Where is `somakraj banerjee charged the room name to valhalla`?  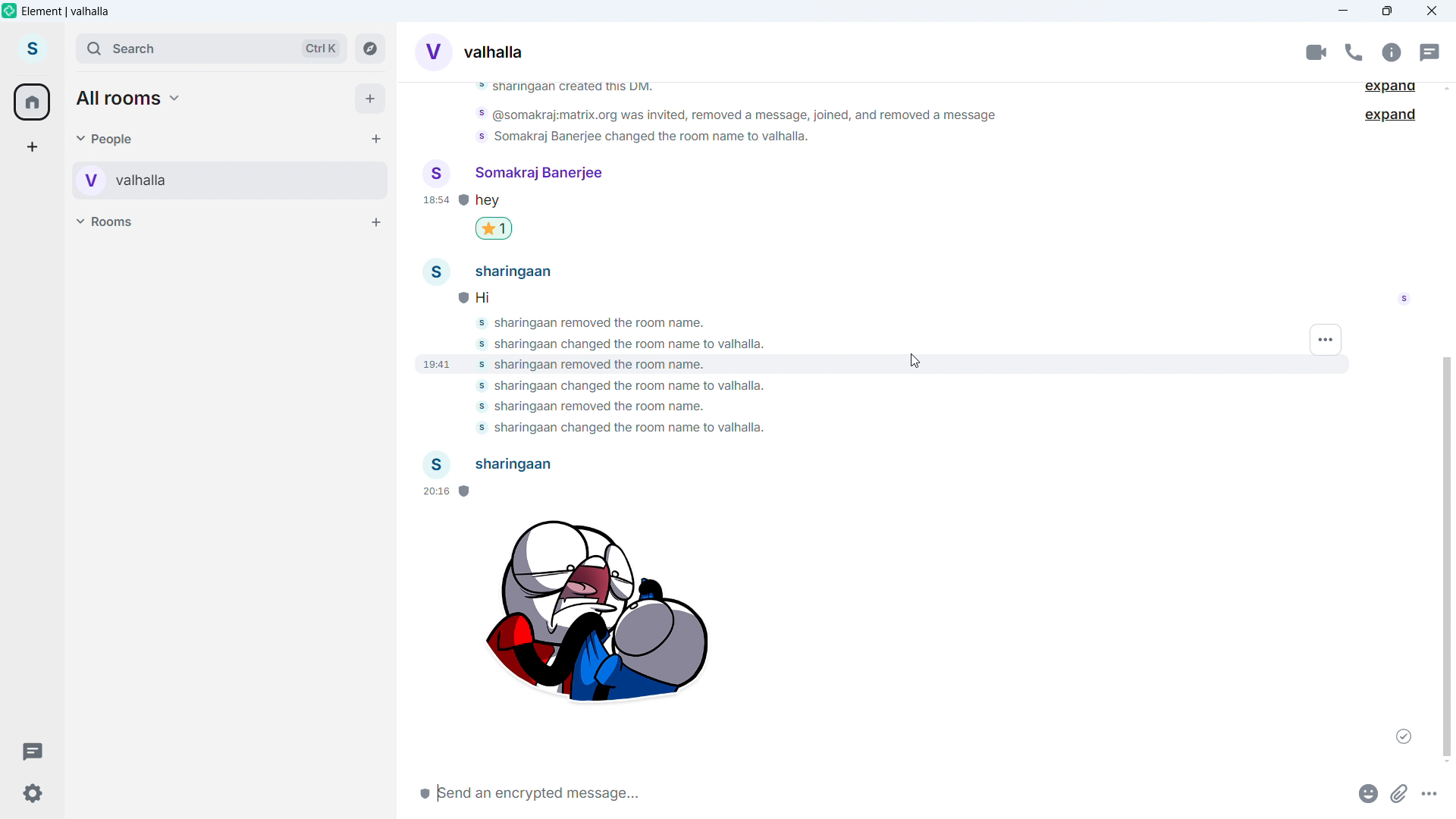 somakraj banerjee charged the room name to valhalla is located at coordinates (651, 139).